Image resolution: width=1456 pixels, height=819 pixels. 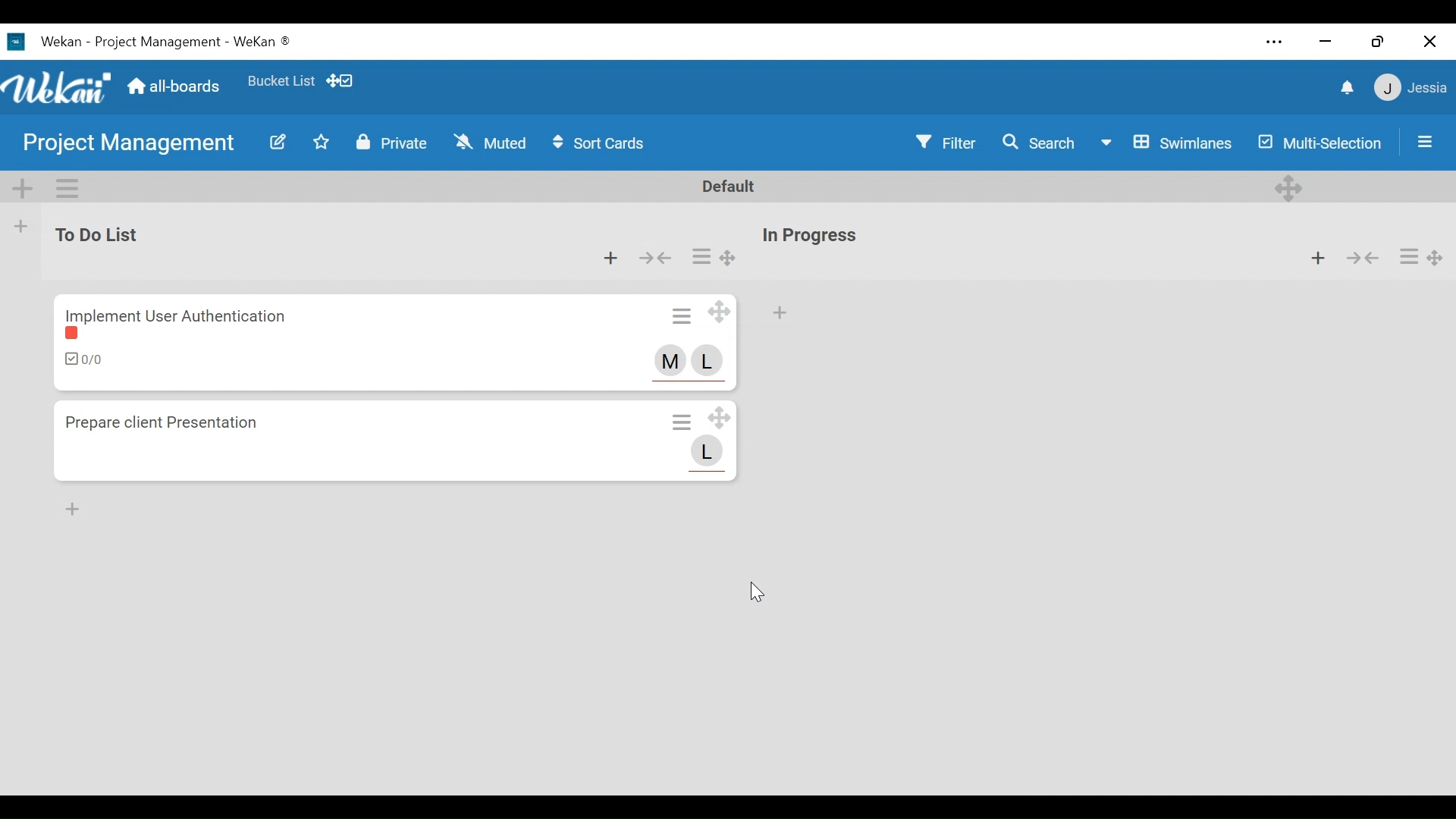 I want to click on Search, so click(x=1038, y=142).